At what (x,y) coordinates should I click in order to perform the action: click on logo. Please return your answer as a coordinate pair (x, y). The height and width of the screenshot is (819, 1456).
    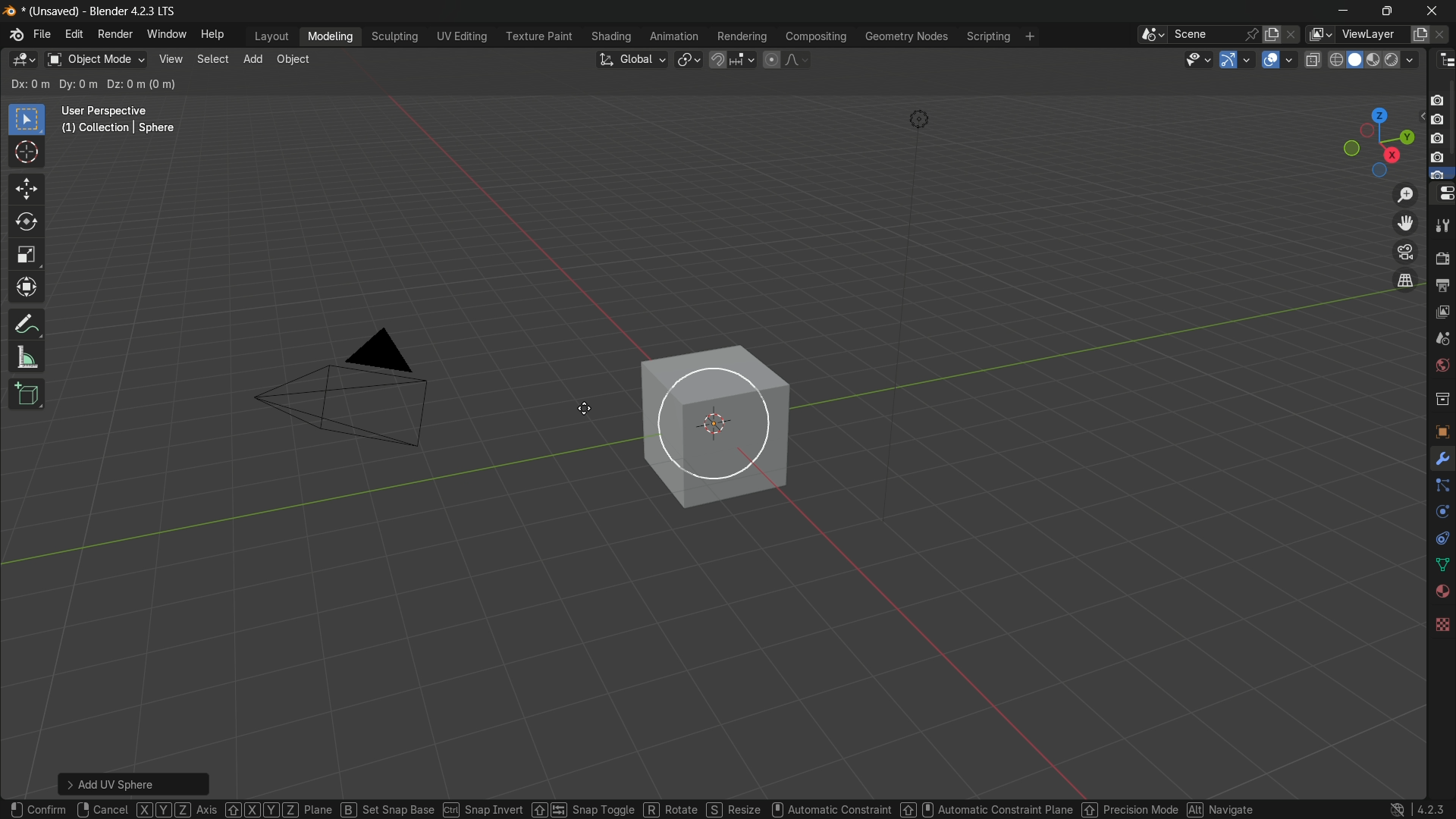
    Looking at the image, I should click on (14, 34).